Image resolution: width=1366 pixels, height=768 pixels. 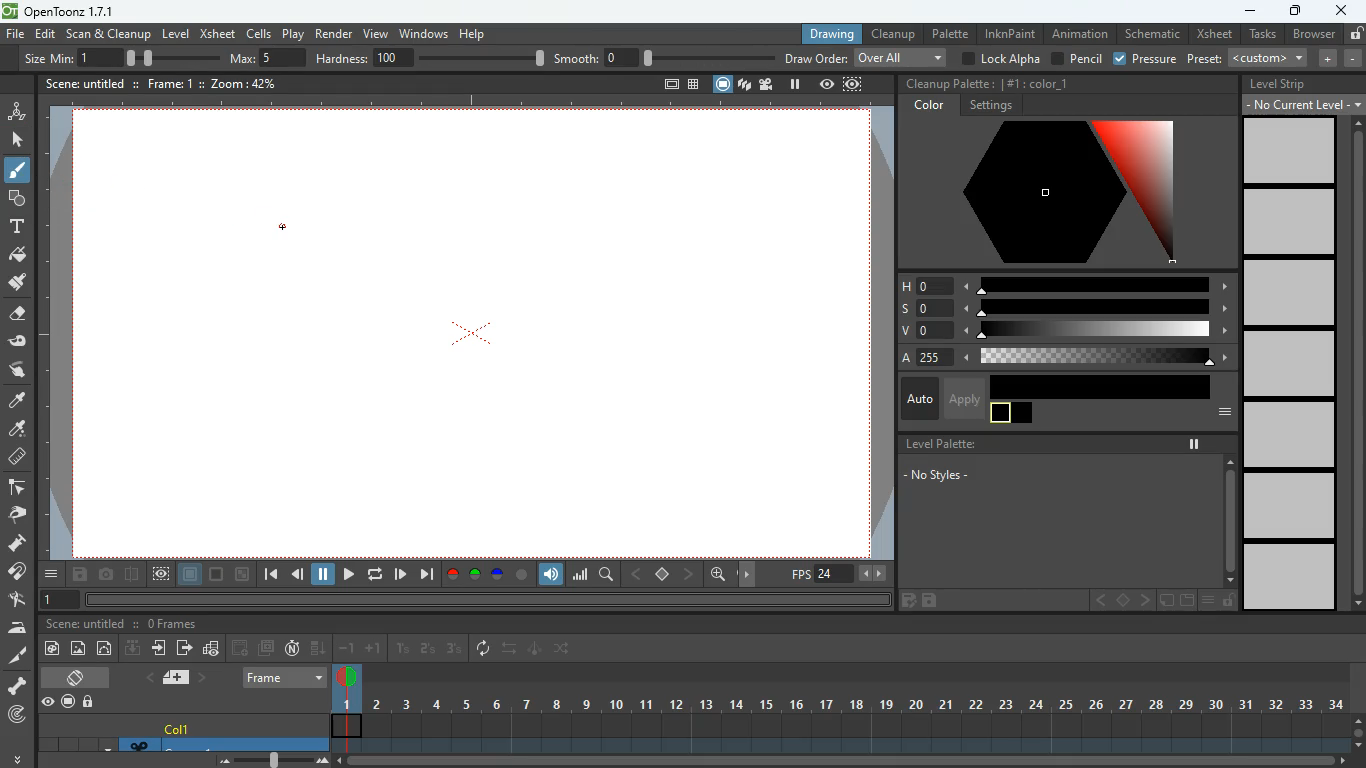 I want to click on filme, so click(x=769, y=84).